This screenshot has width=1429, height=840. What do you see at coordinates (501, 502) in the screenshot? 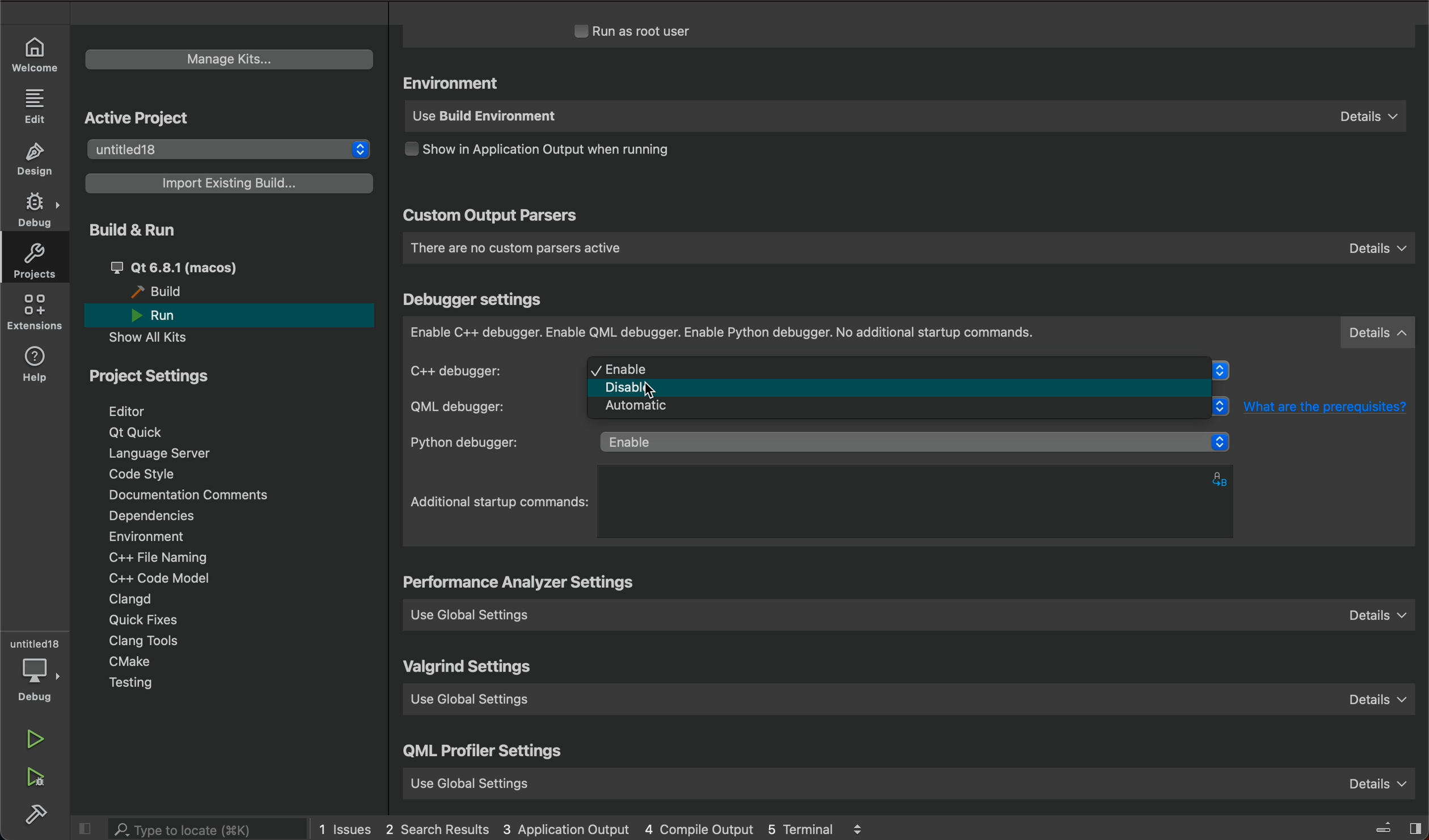
I see `startup ` at bounding box center [501, 502].